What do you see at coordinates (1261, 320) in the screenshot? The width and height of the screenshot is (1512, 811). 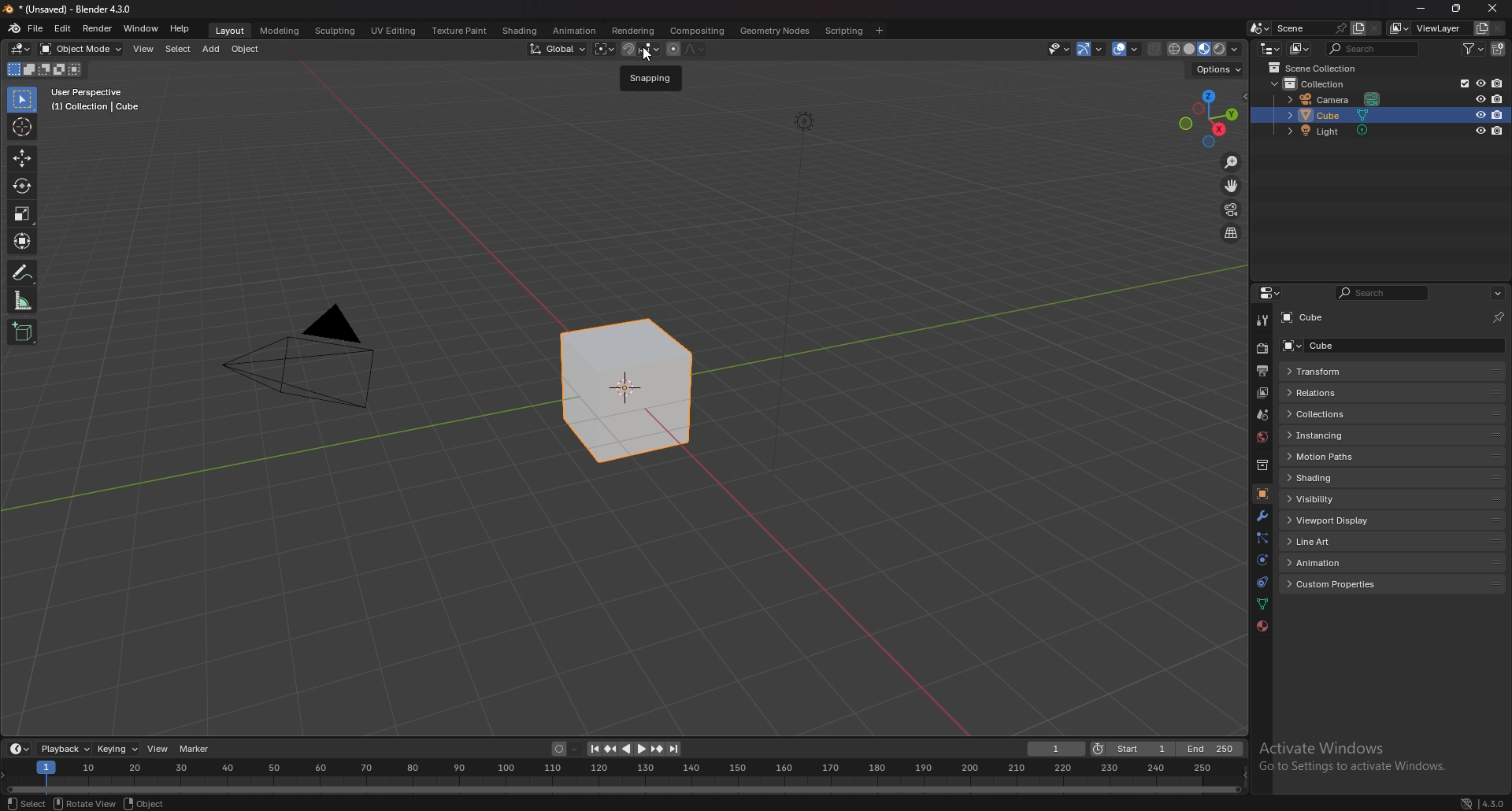 I see `tool` at bounding box center [1261, 320].